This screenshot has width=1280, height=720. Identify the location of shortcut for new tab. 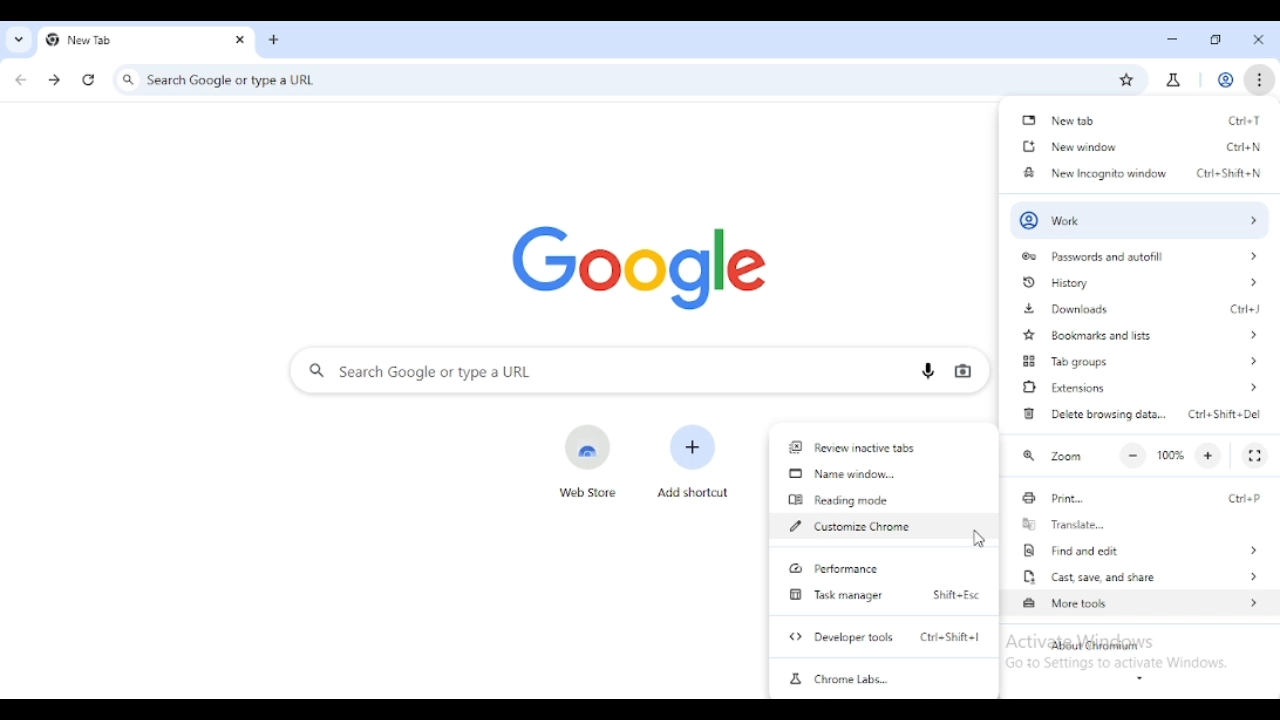
(1245, 120).